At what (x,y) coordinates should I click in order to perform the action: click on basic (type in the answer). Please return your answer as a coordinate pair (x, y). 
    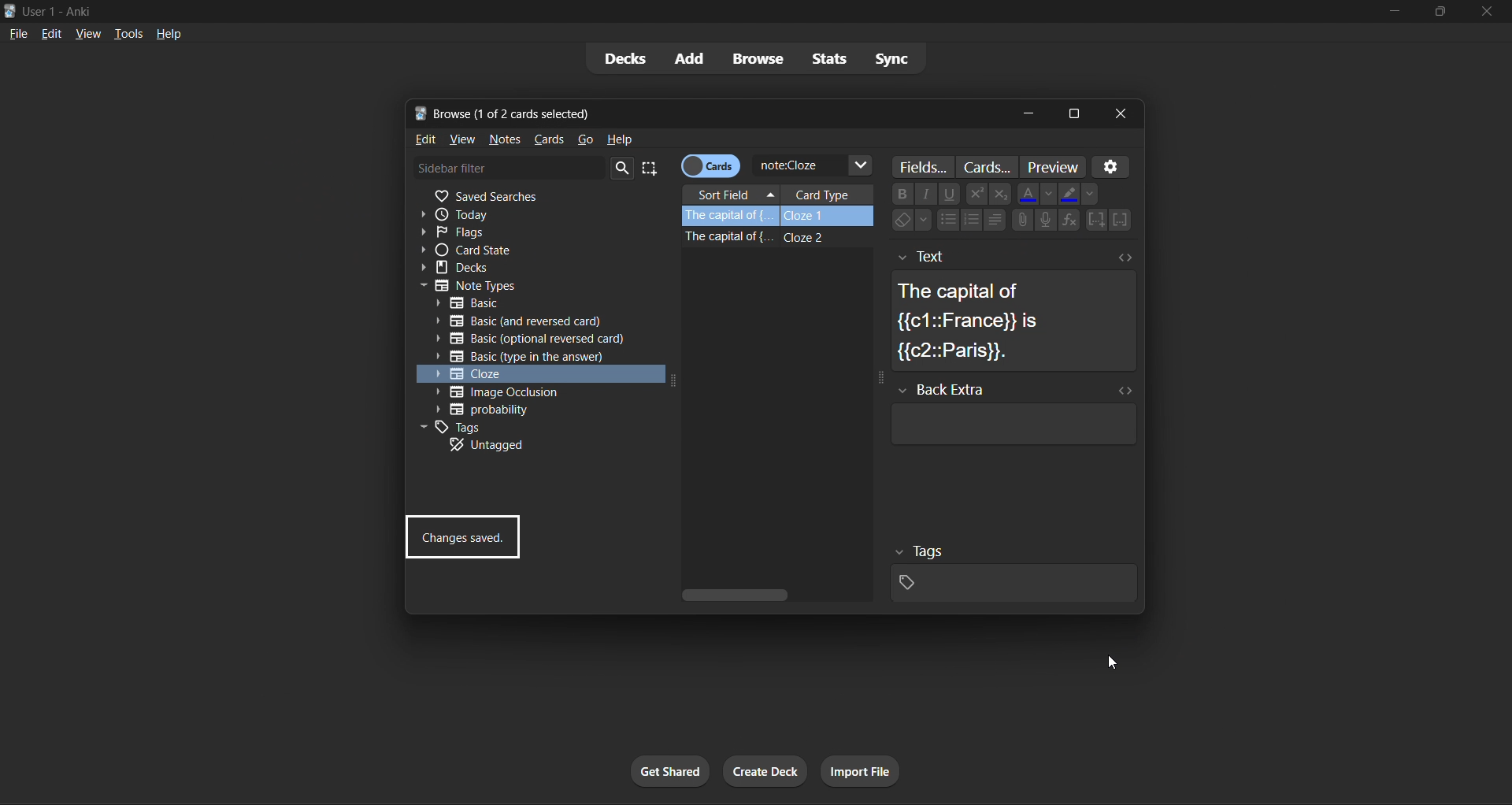
    Looking at the image, I should click on (521, 358).